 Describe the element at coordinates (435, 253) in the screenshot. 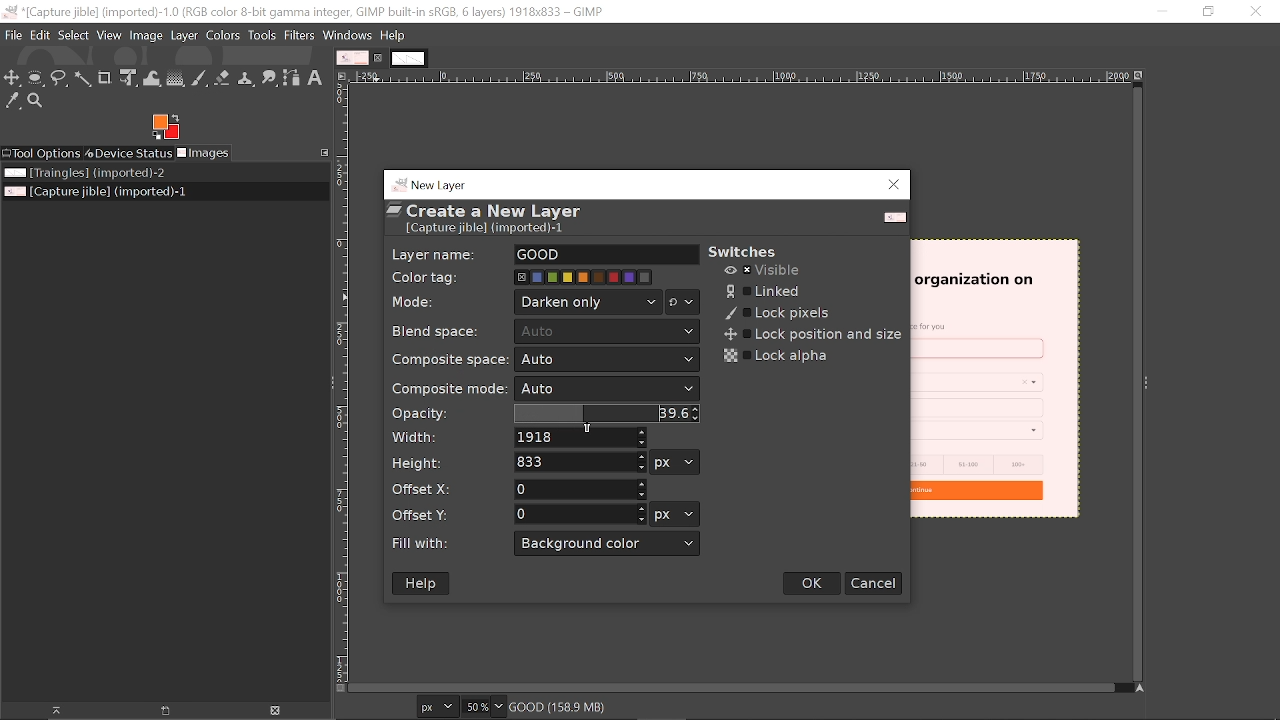

I see `Layer name:` at that location.